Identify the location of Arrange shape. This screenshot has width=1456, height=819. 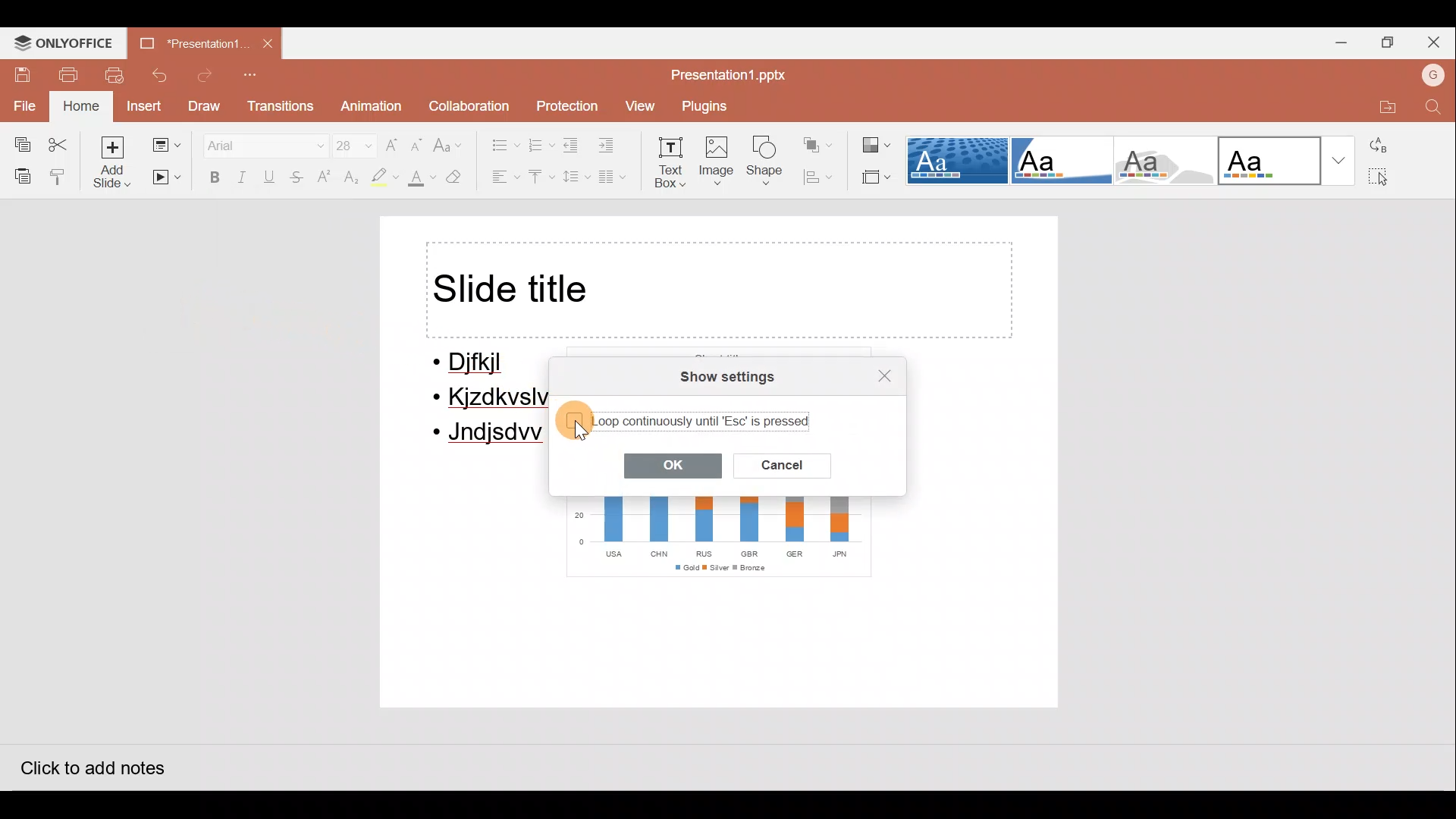
(814, 144).